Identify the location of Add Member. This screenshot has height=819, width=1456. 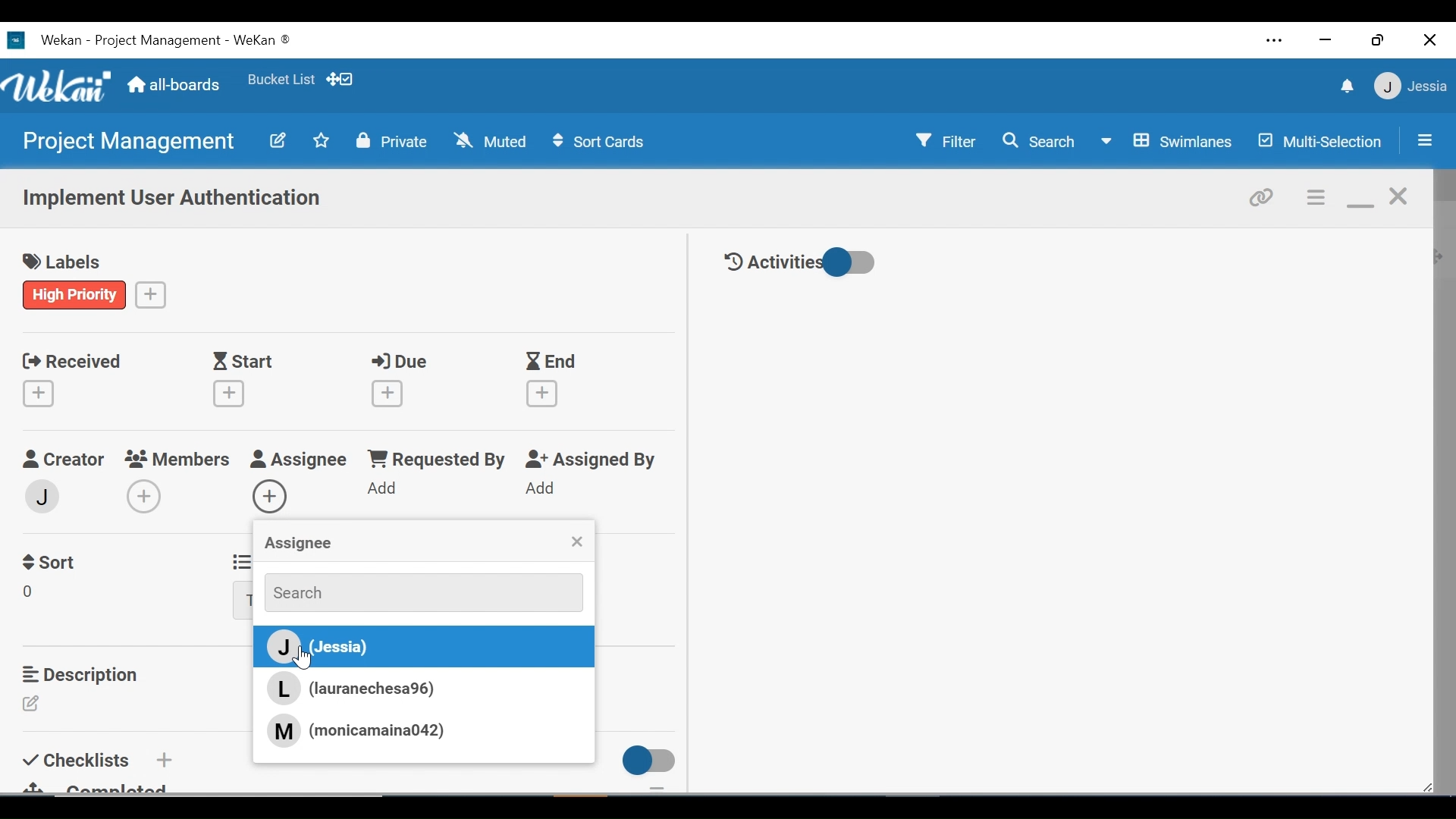
(143, 496).